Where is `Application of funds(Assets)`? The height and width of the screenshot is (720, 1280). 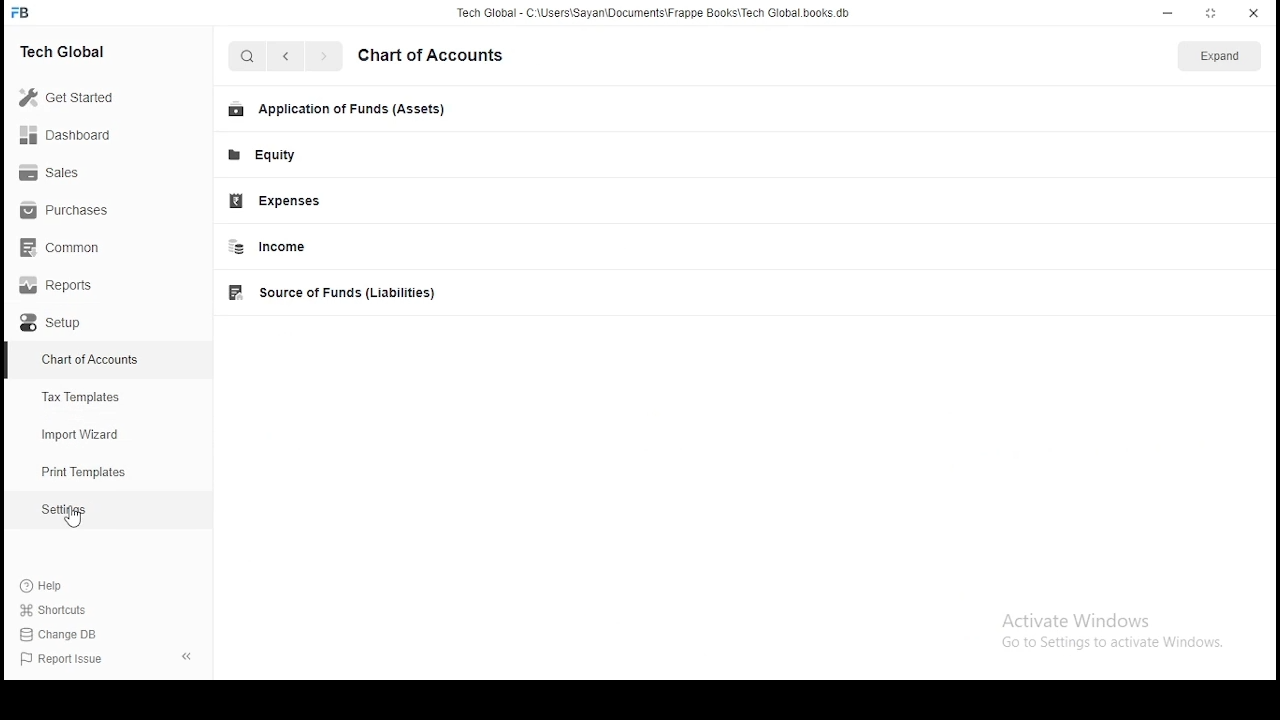
Application of funds(Assets) is located at coordinates (347, 113).